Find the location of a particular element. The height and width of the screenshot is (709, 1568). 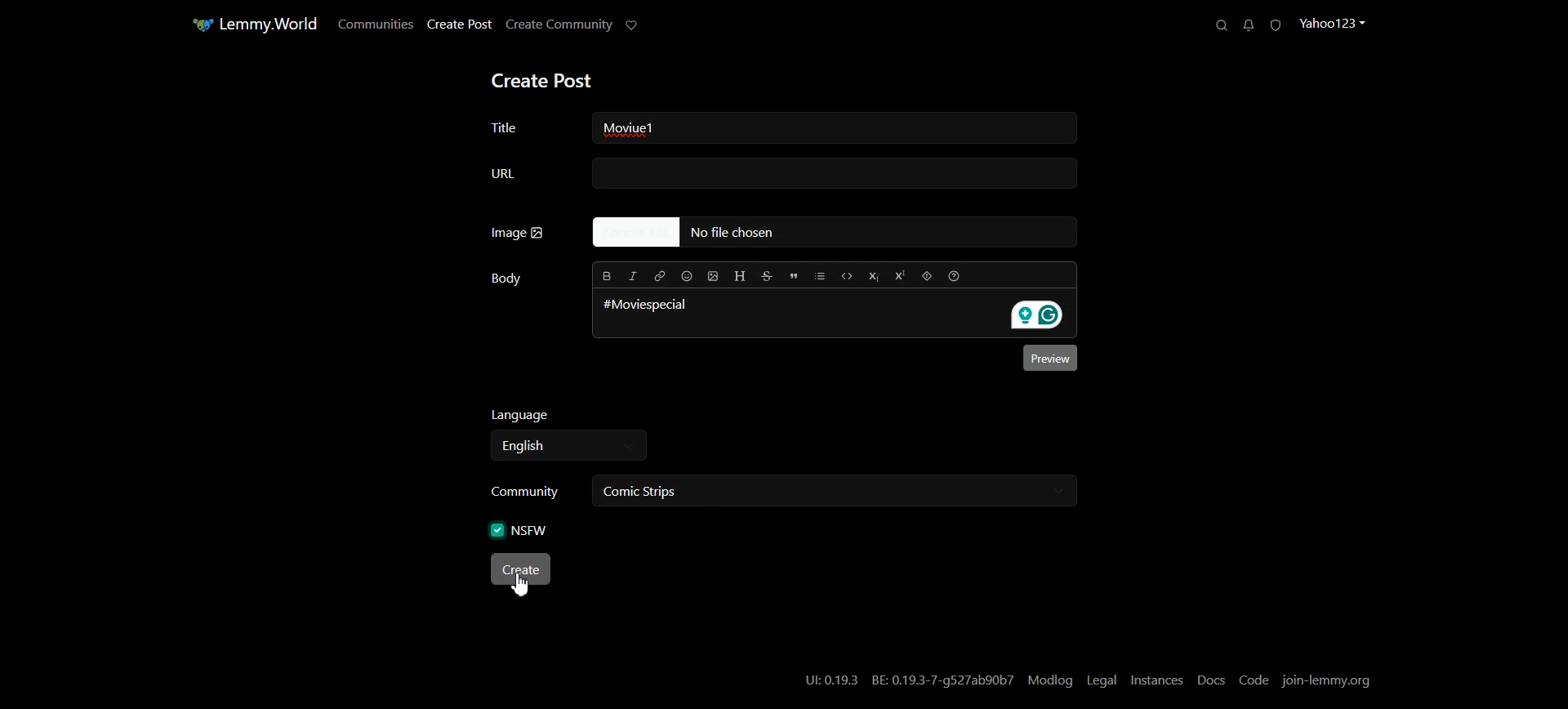

Preview is located at coordinates (1045, 358).